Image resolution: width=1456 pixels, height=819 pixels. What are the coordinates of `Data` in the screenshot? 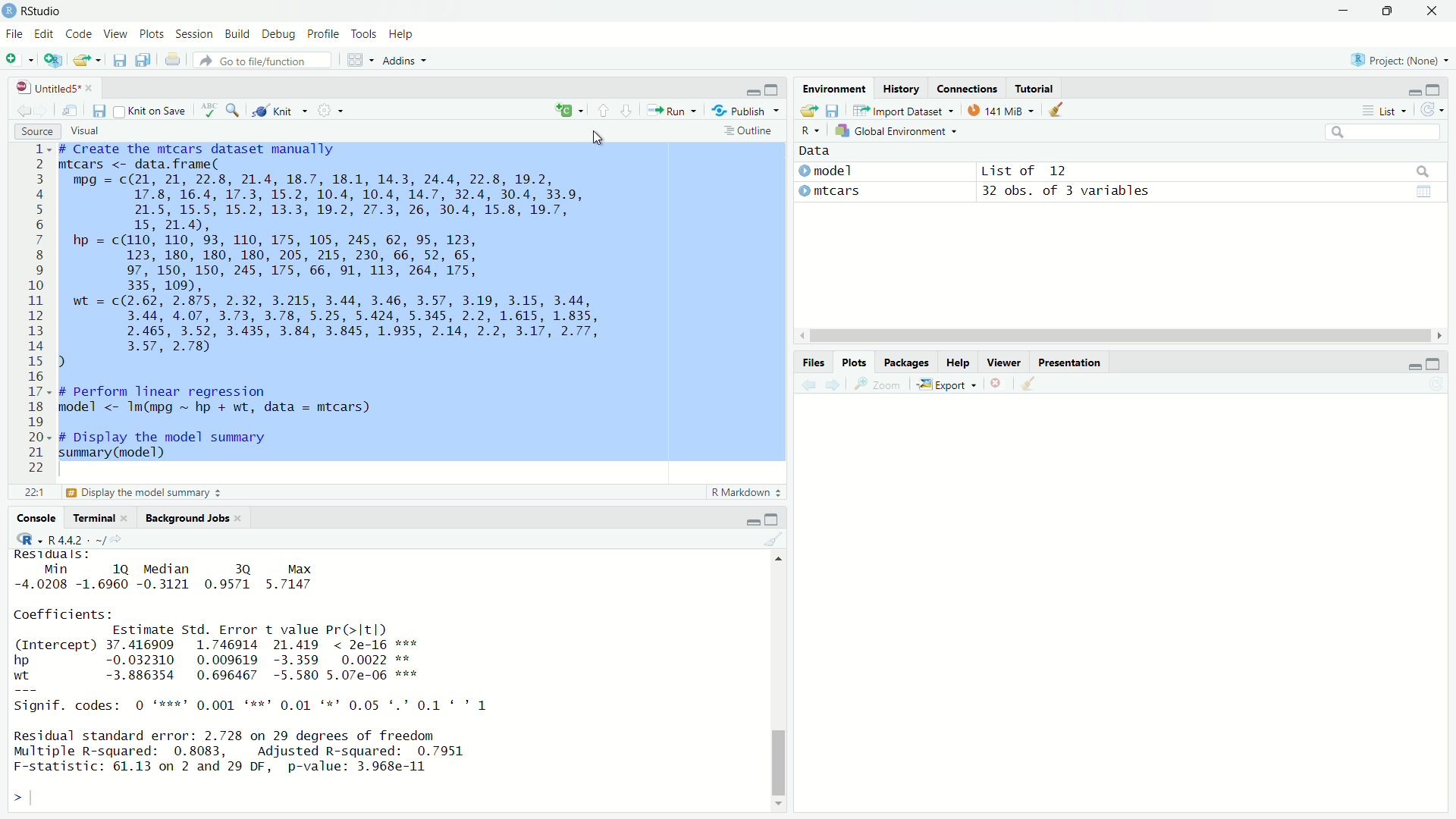 It's located at (816, 152).